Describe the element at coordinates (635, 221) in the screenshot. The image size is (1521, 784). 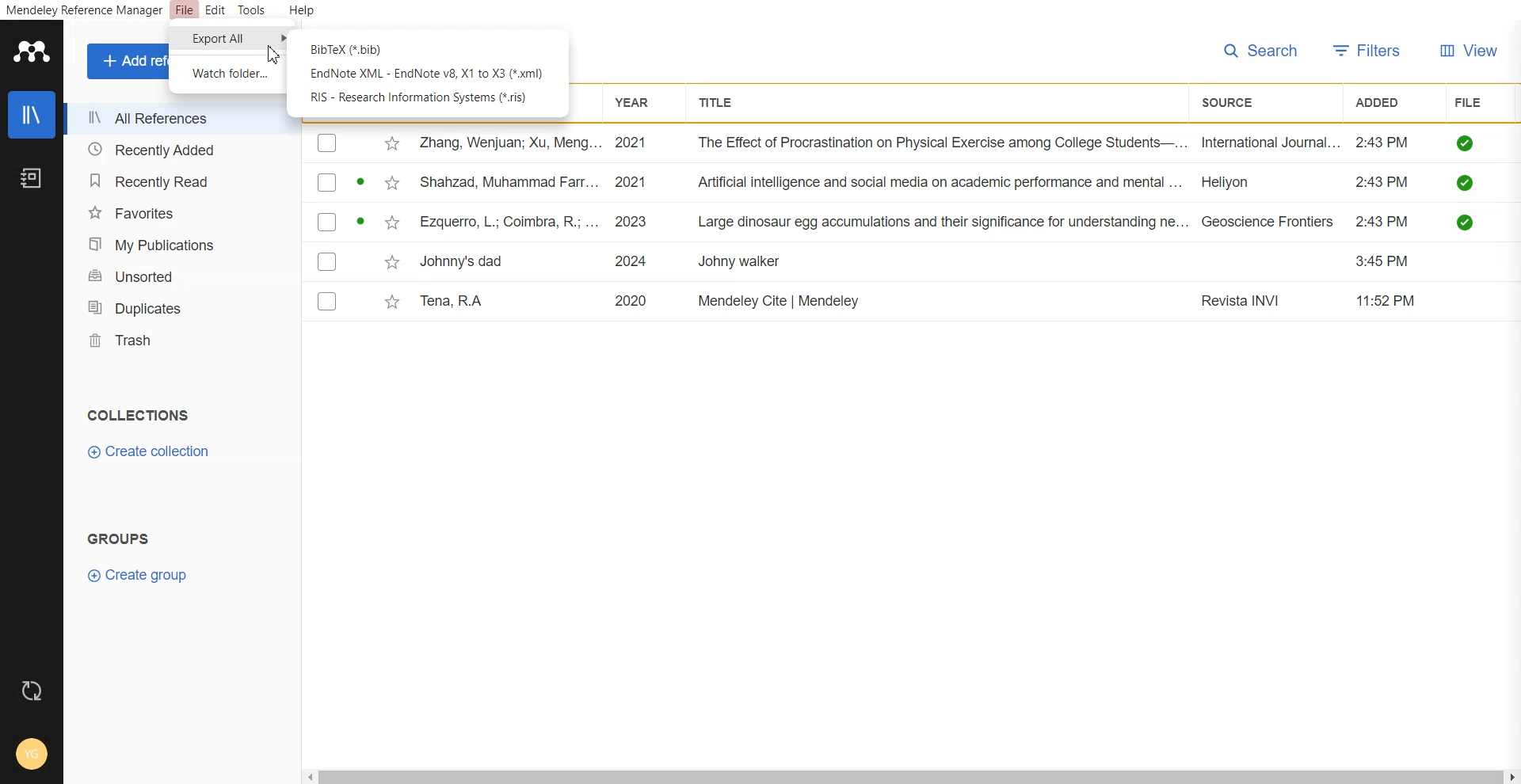
I see `2023` at that location.